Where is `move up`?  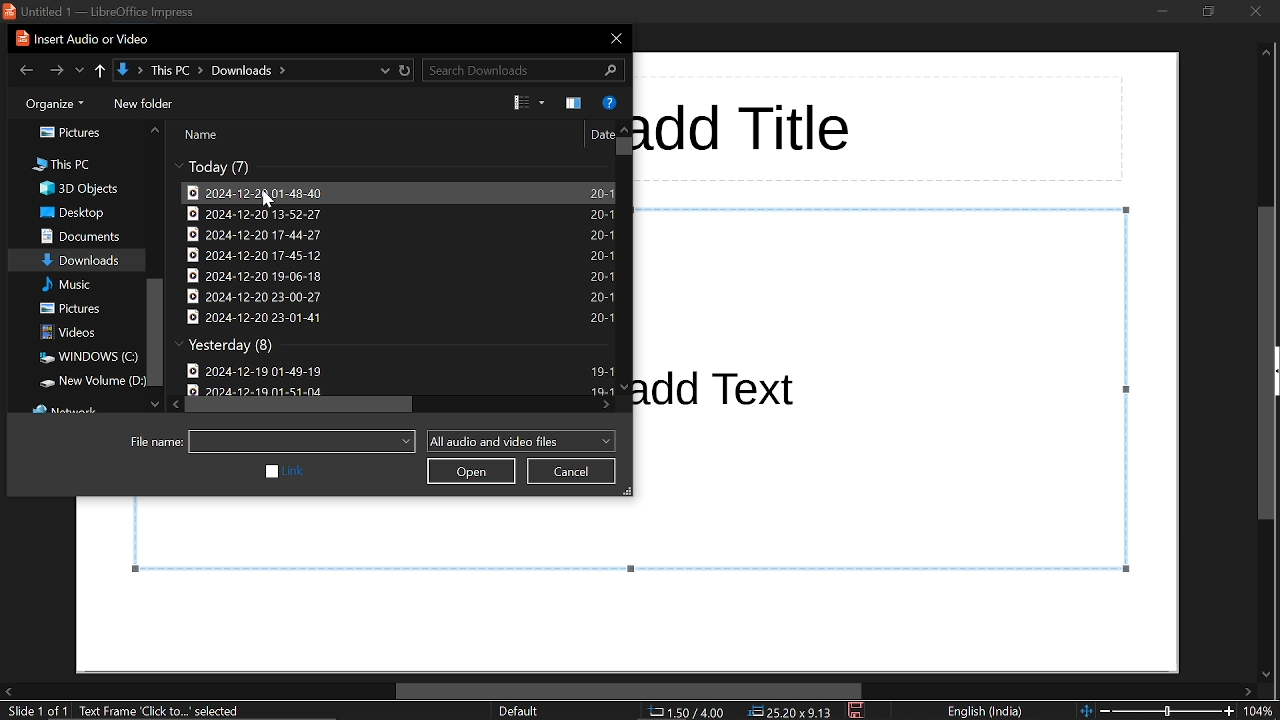
move up is located at coordinates (1266, 55).